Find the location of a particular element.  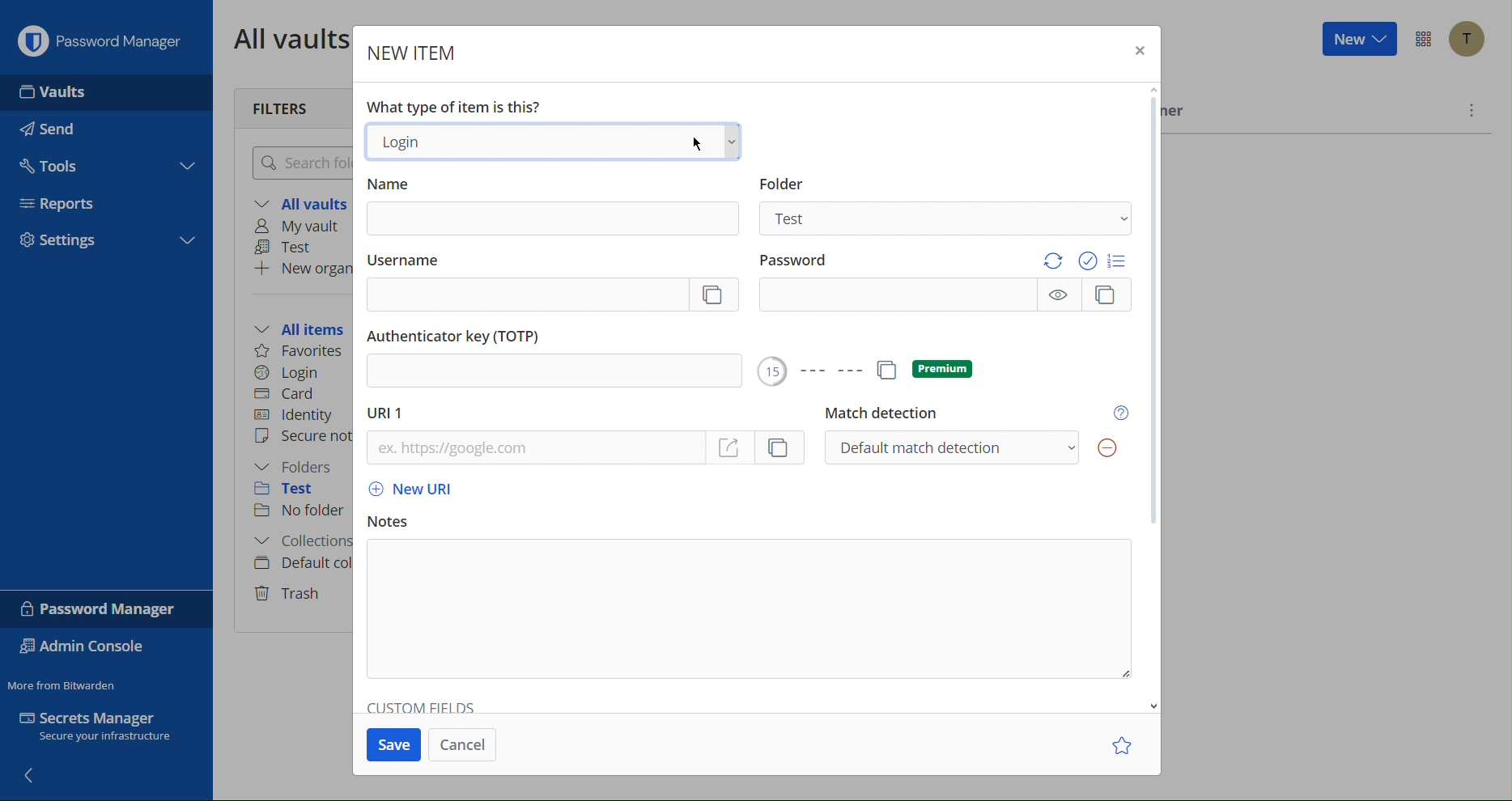

Login is located at coordinates (290, 375).